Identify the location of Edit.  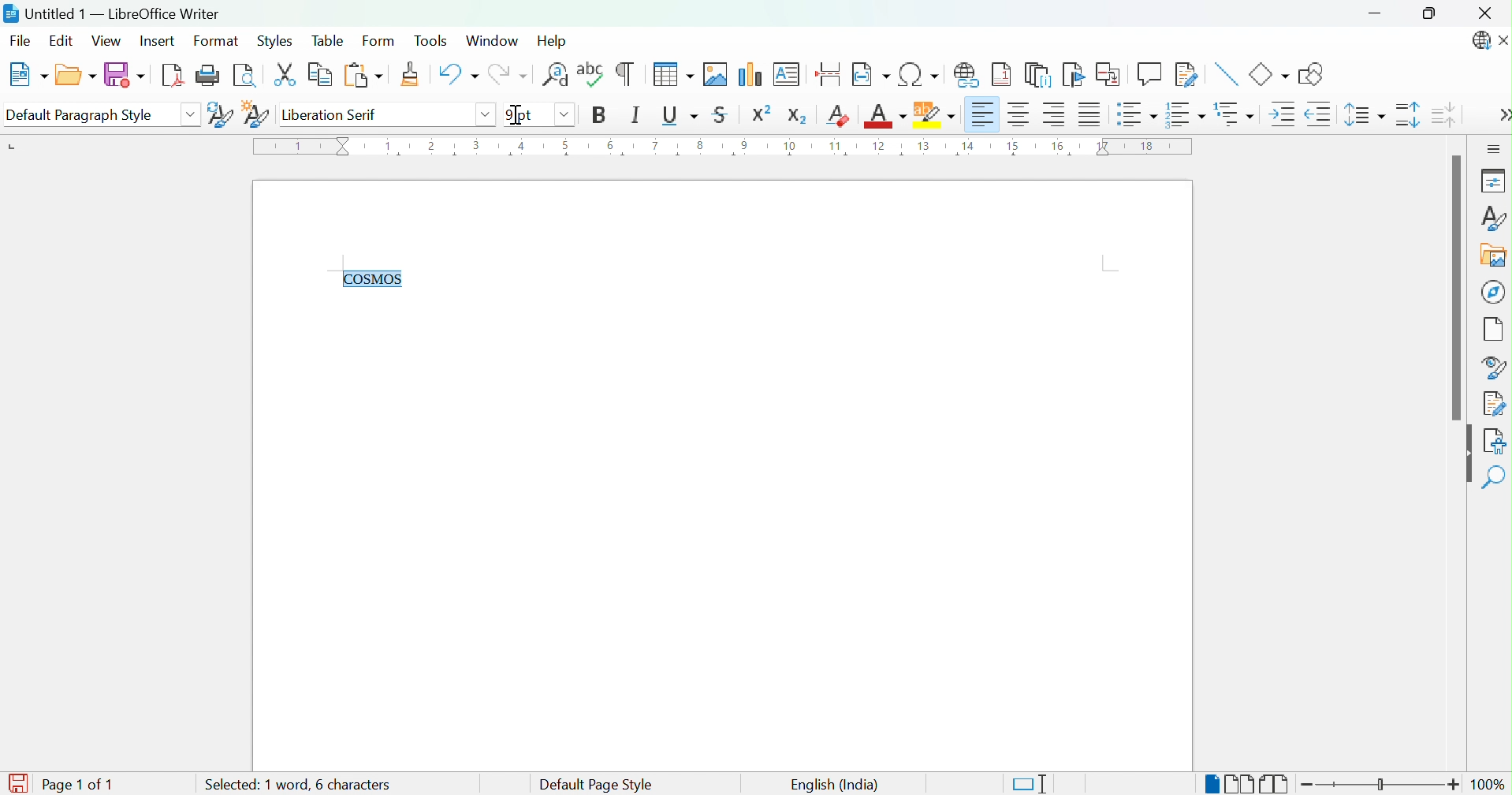
(61, 41).